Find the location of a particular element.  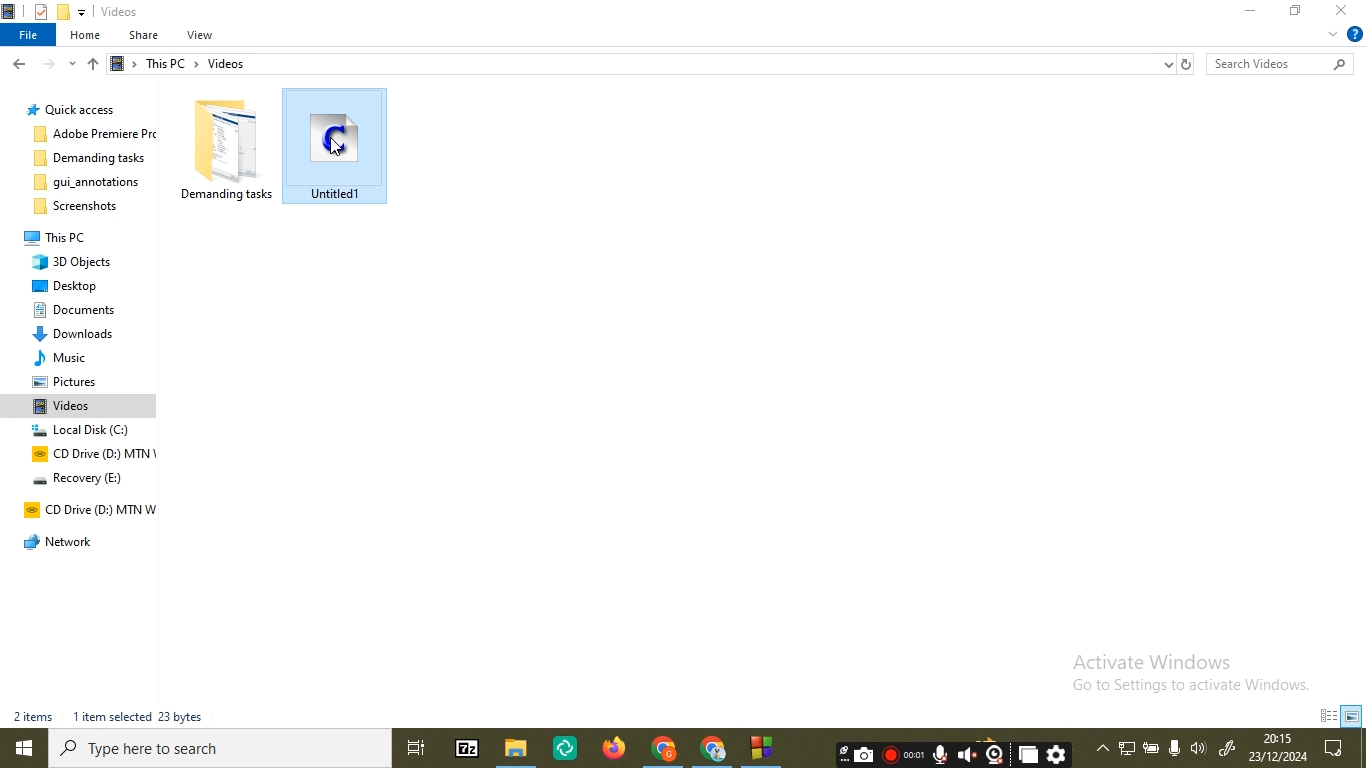

search bar is located at coordinates (1279, 63).